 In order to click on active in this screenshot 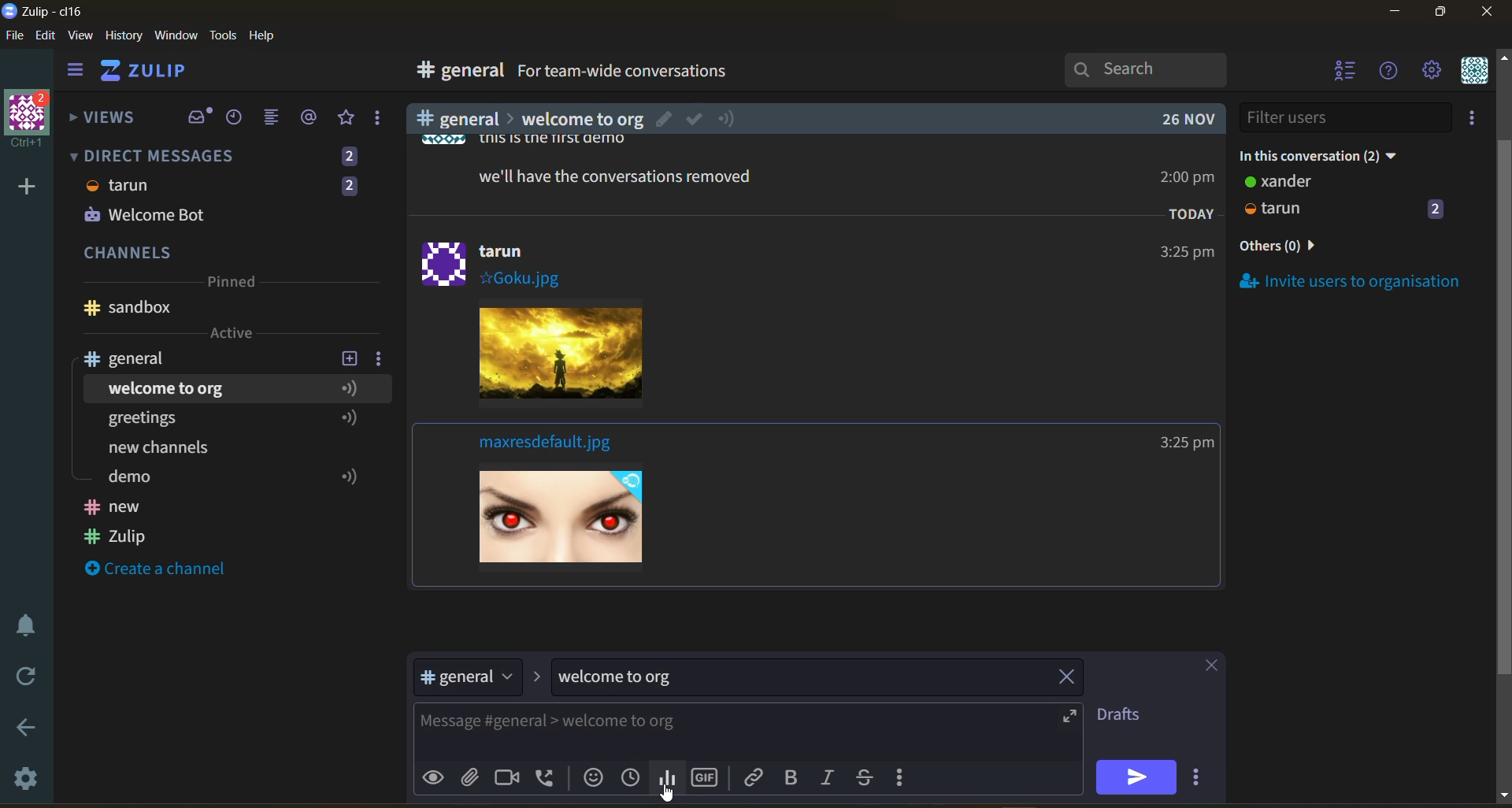, I will do `click(233, 333)`.